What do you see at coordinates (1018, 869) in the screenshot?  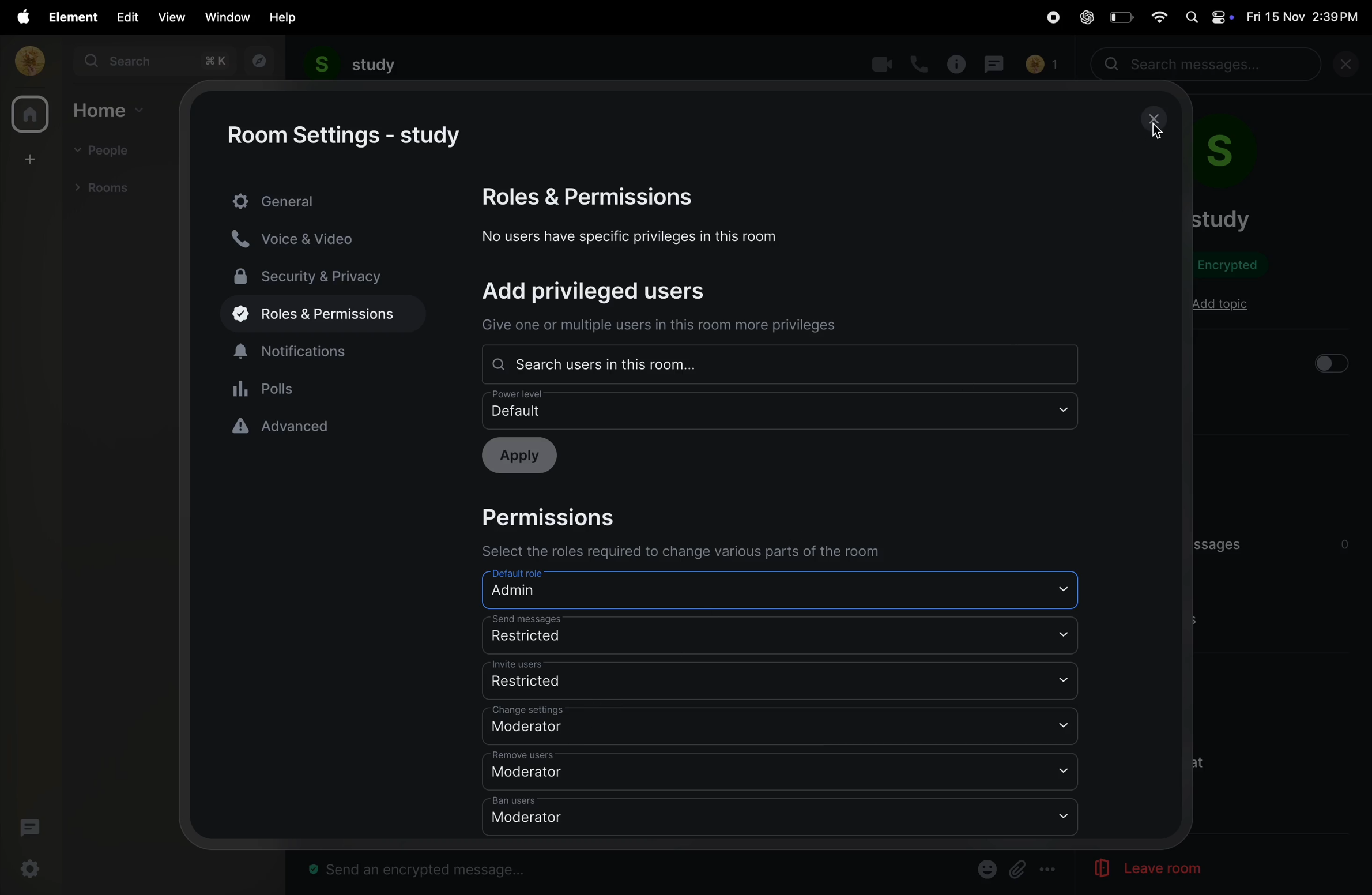 I see `` at bounding box center [1018, 869].